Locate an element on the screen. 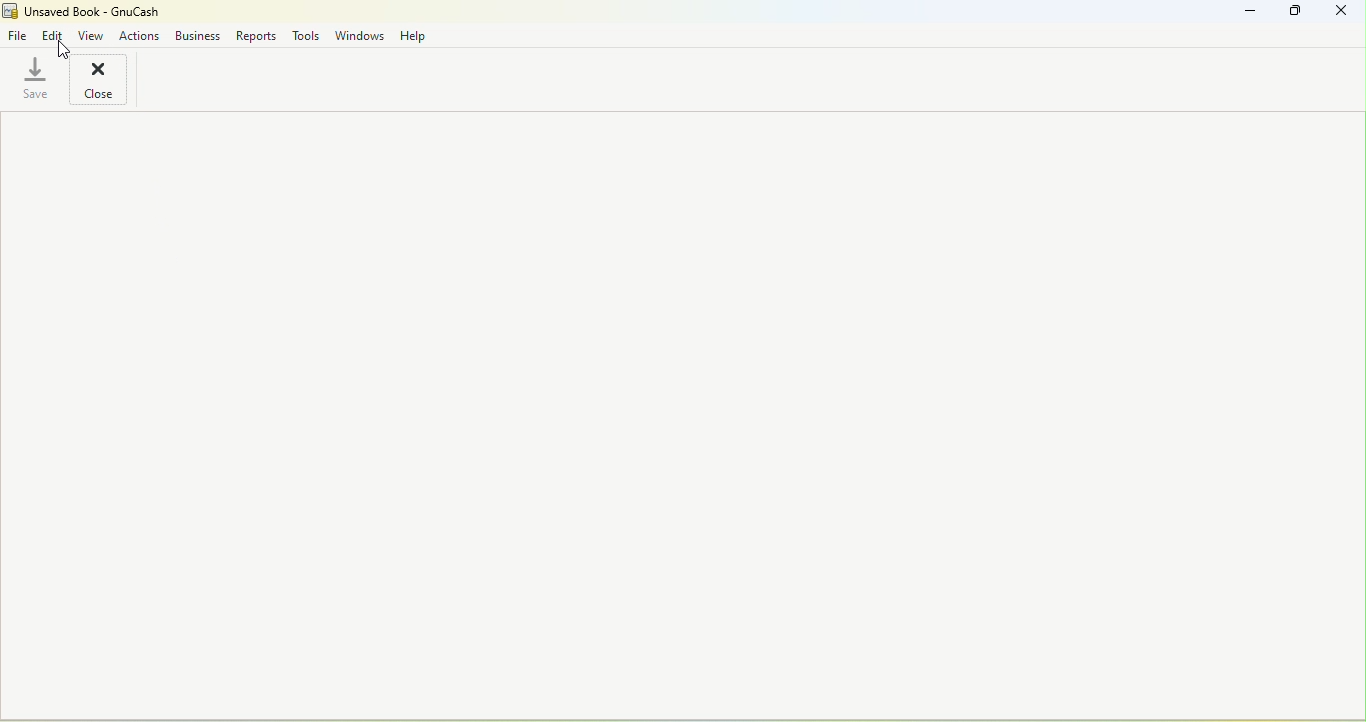  File is located at coordinates (19, 34).